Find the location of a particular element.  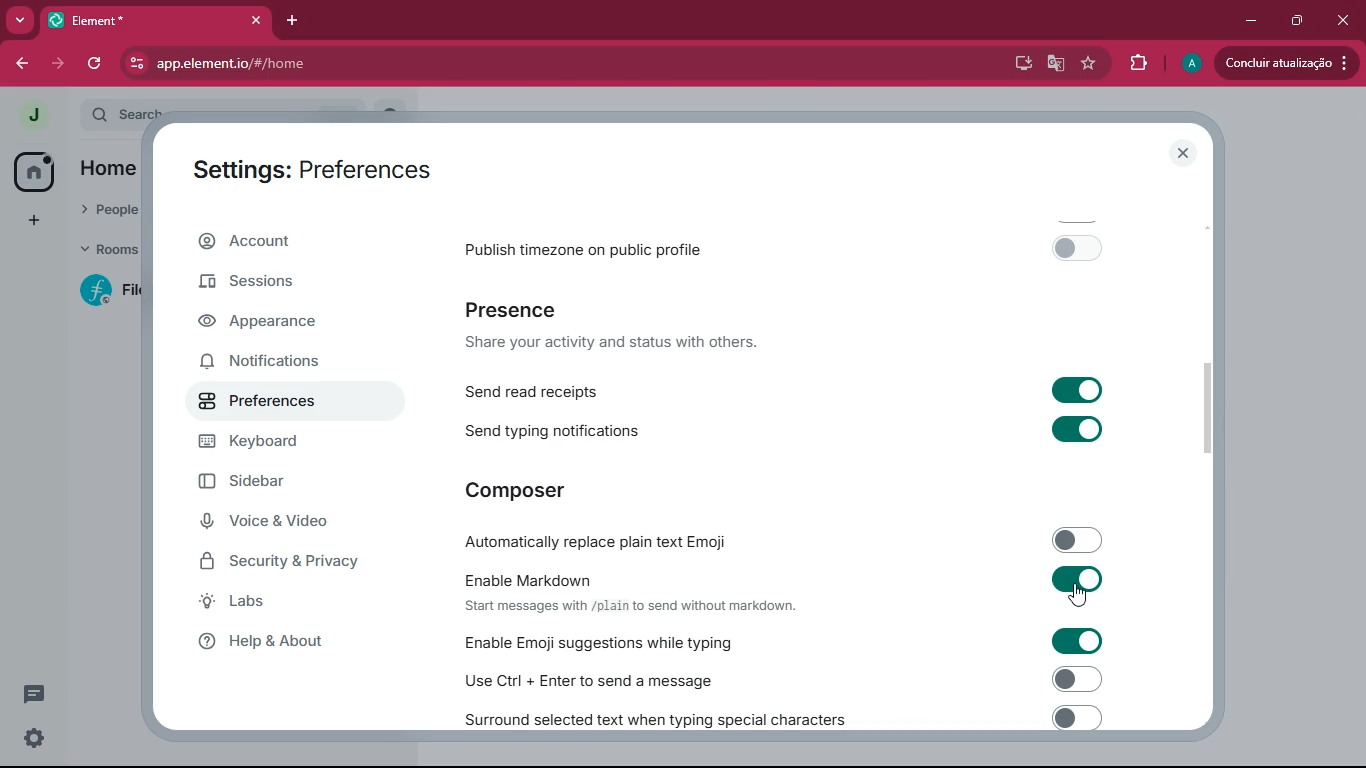

favourite is located at coordinates (1092, 64).